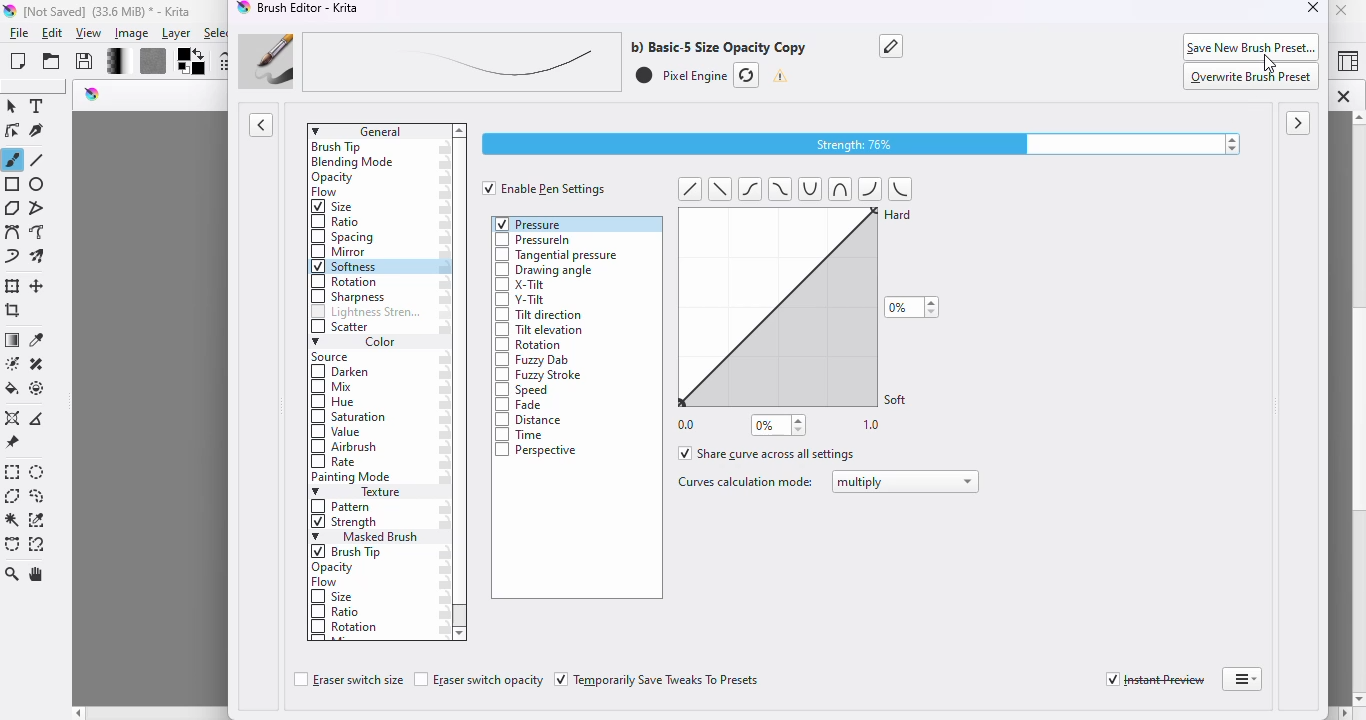 The width and height of the screenshot is (1366, 720). Describe the element at coordinates (350, 552) in the screenshot. I see `brush tip` at that location.